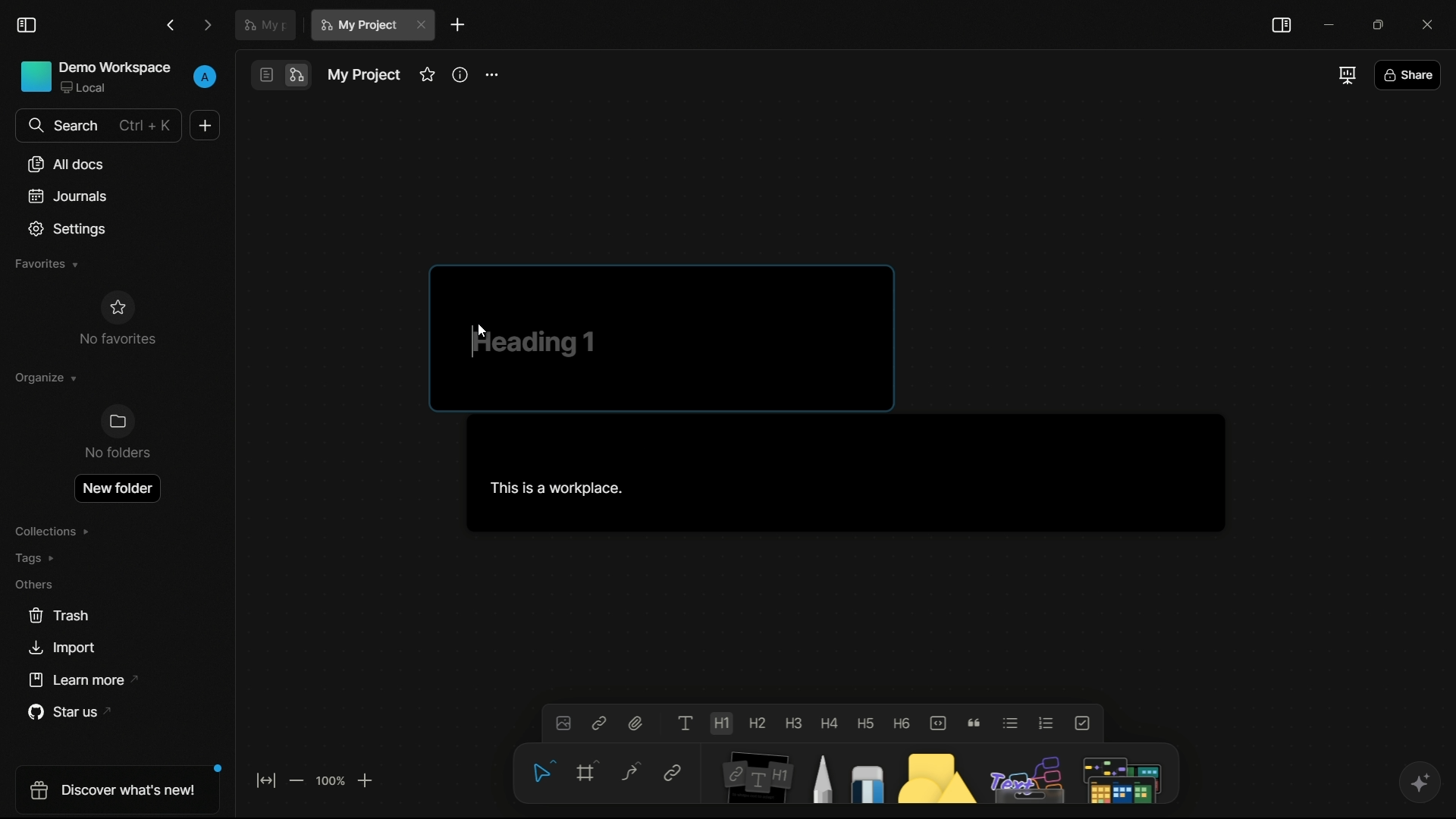 The width and height of the screenshot is (1456, 819). I want to click on full screen, so click(1345, 76).